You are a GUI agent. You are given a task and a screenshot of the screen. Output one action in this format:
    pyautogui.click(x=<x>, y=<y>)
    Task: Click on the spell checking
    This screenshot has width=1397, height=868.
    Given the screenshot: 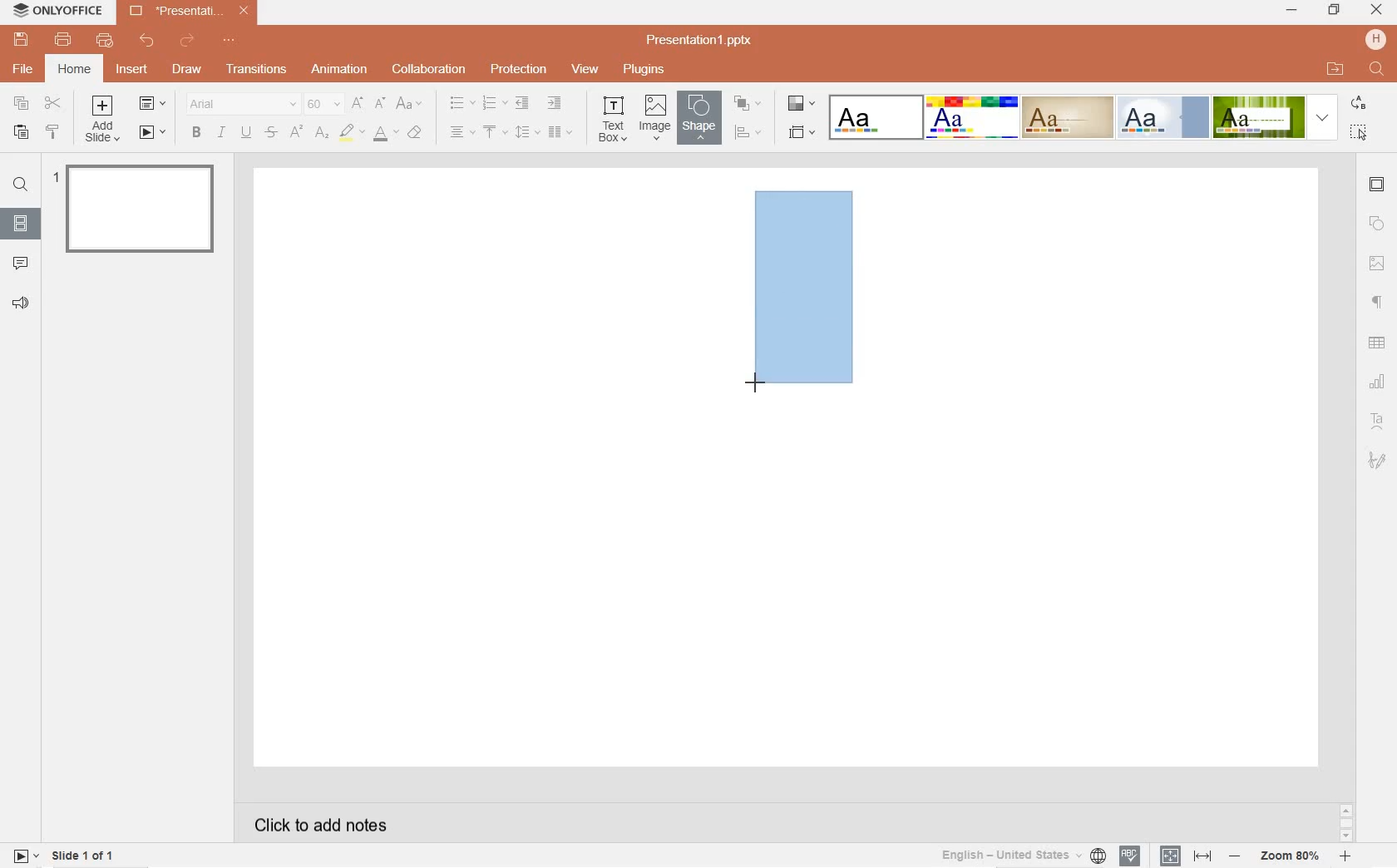 What is the action you would take?
    pyautogui.click(x=1129, y=856)
    